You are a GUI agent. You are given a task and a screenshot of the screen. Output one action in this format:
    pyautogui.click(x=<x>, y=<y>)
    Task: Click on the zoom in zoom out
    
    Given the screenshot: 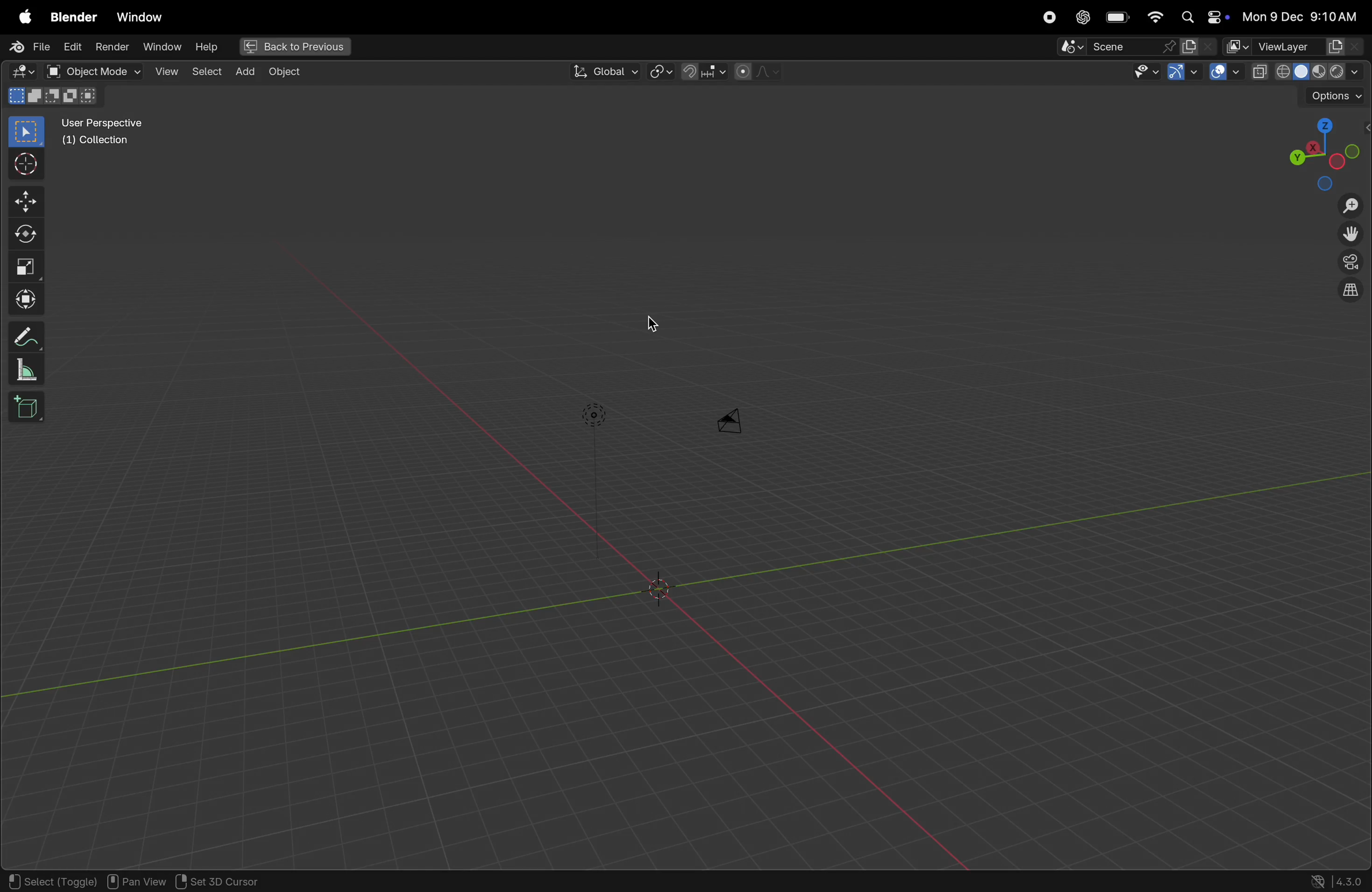 What is the action you would take?
    pyautogui.click(x=1354, y=206)
    